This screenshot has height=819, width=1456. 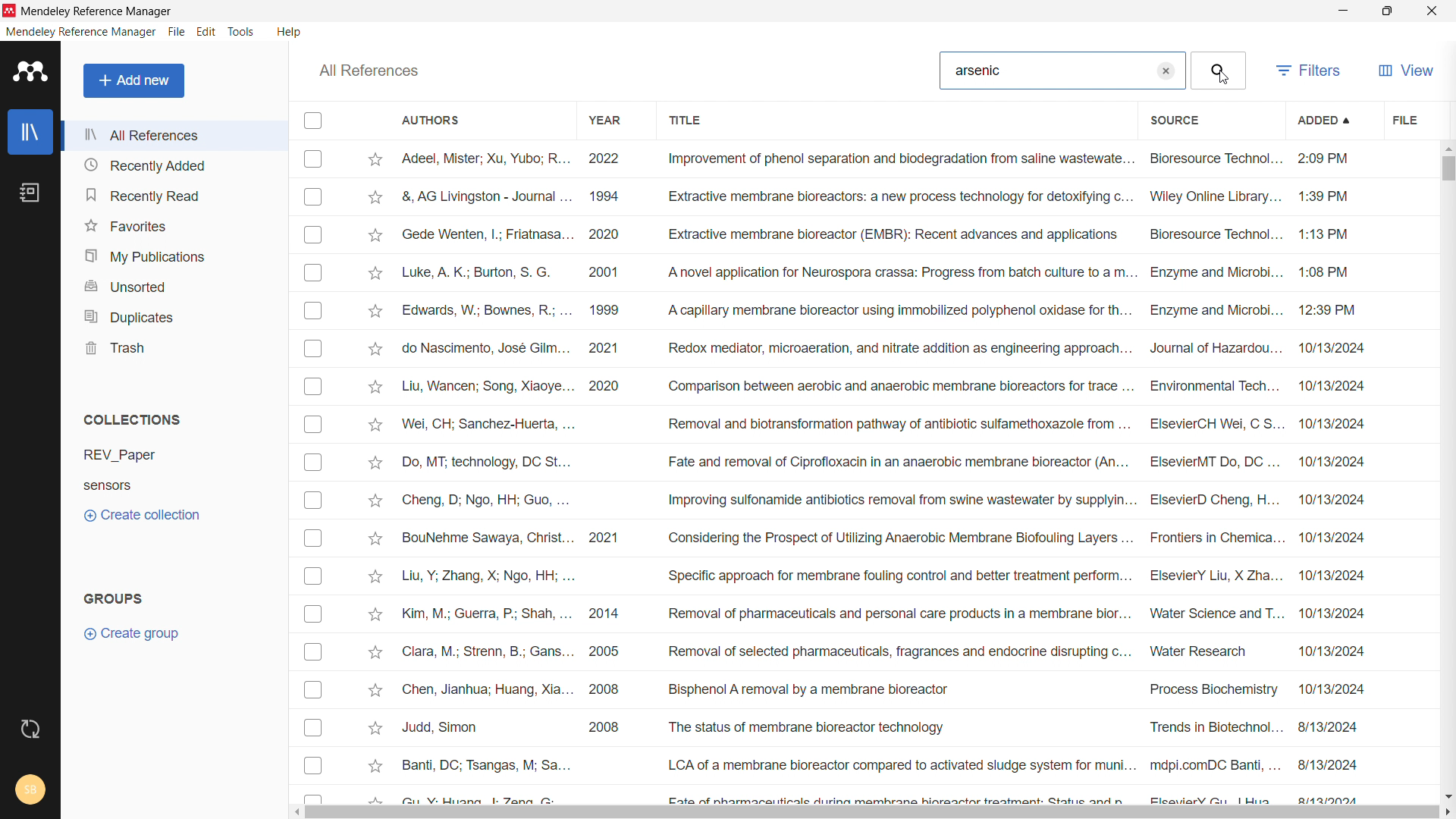 I want to click on search button, so click(x=1221, y=71).